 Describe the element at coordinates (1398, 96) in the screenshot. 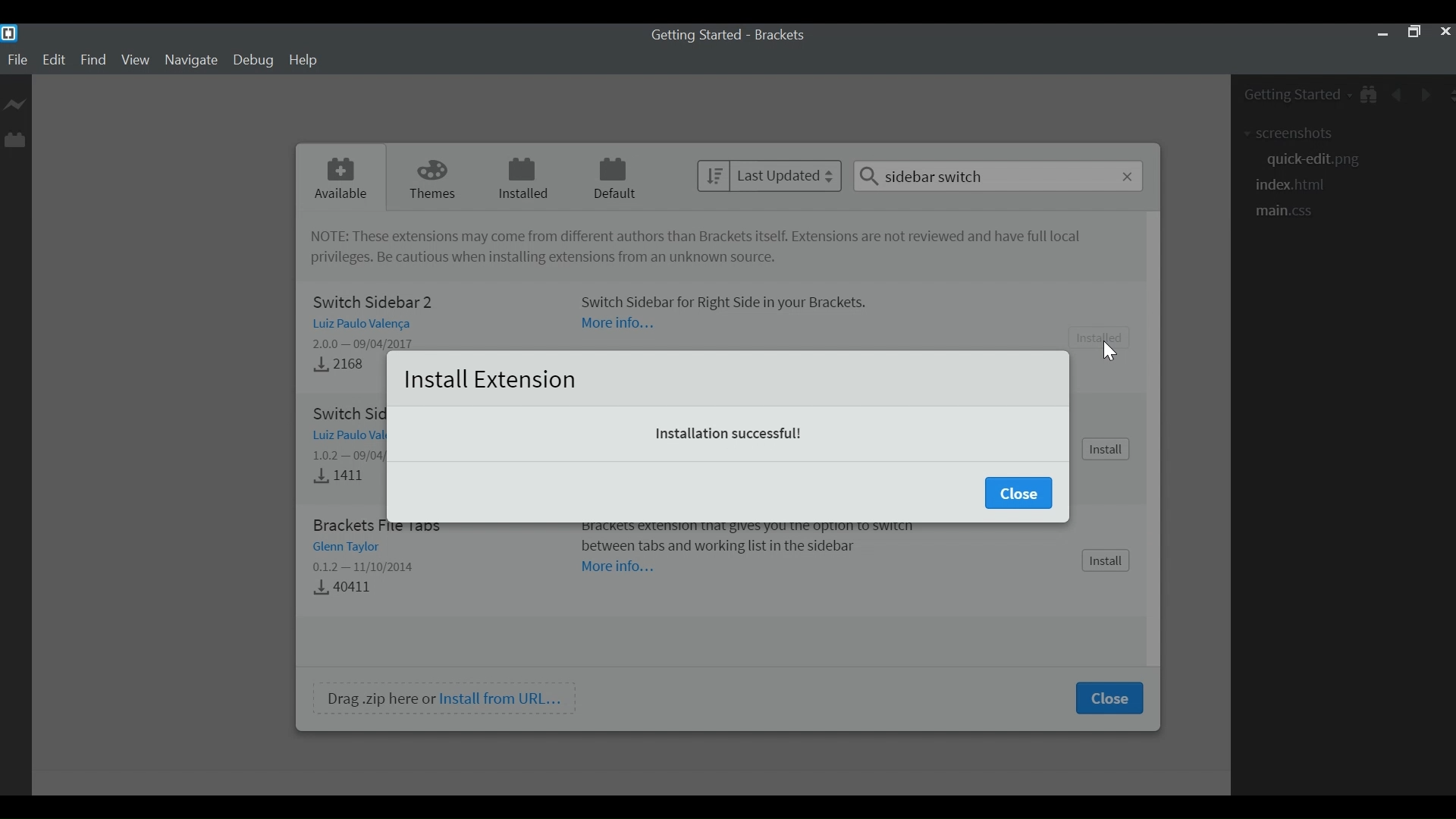

I see `Navigate Back` at that location.